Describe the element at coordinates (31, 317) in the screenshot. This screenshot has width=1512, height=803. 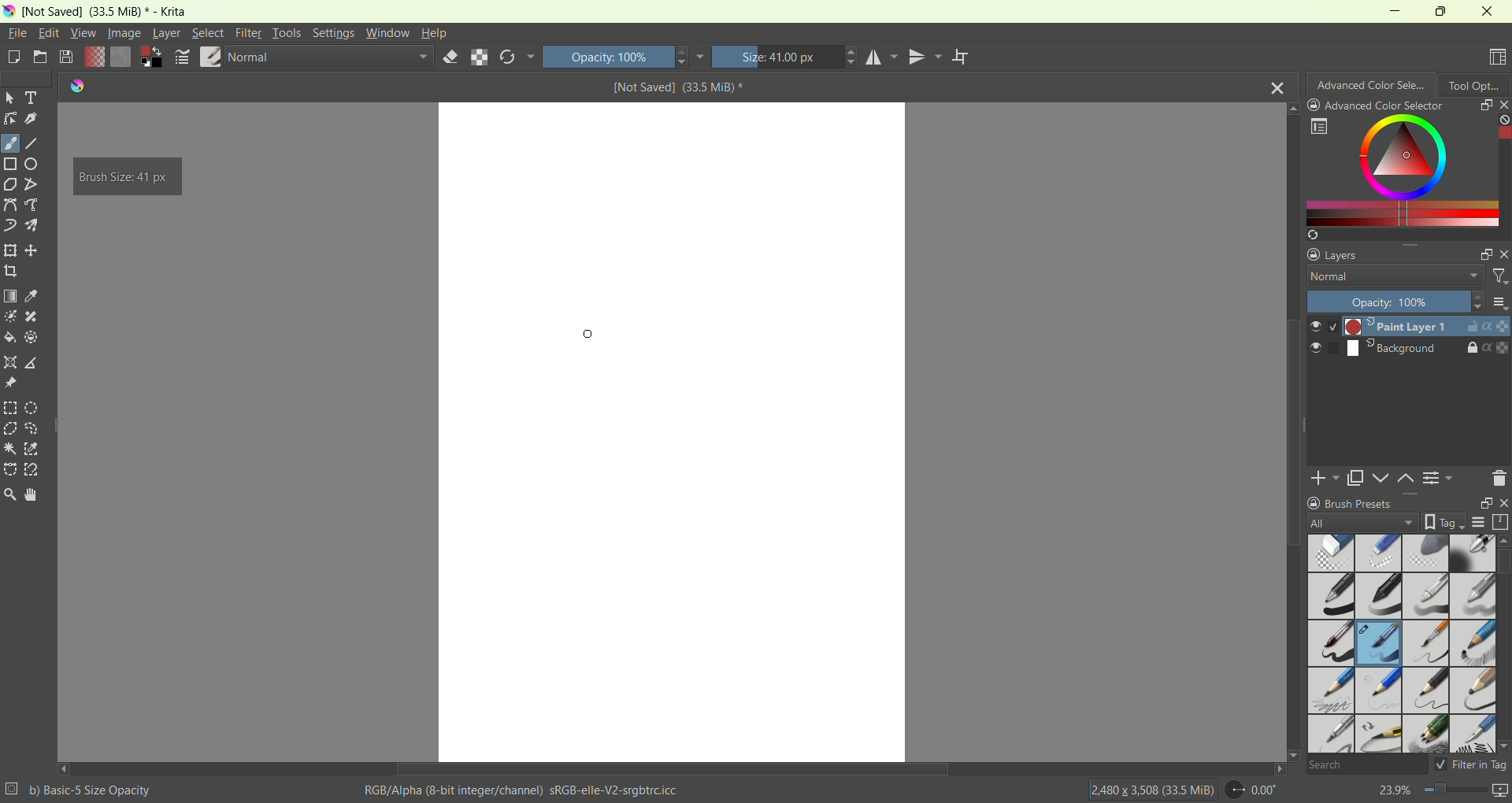
I see `smart patch` at that location.